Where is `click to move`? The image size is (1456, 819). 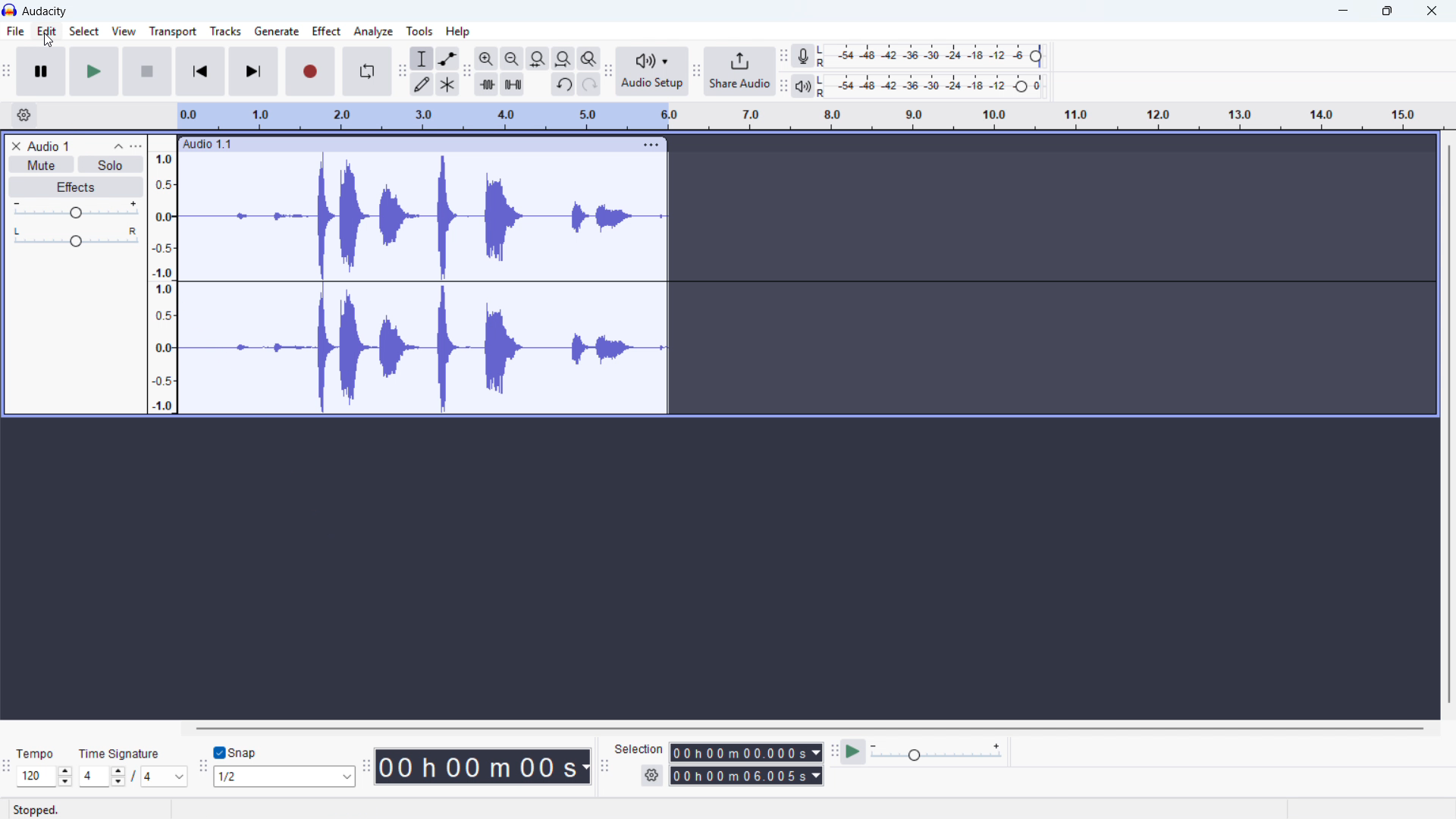
click to move is located at coordinates (409, 145).